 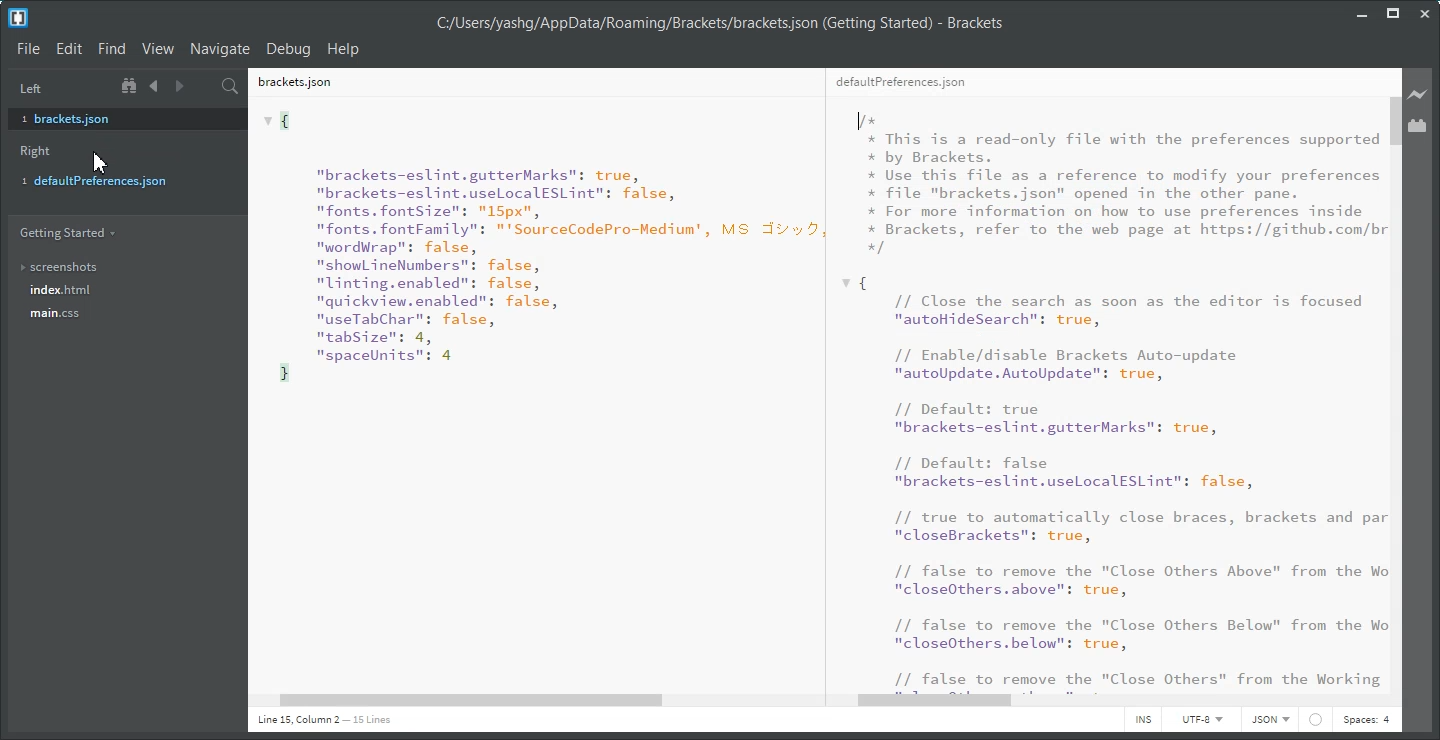 I want to click on INS, so click(x=1143, y=721).